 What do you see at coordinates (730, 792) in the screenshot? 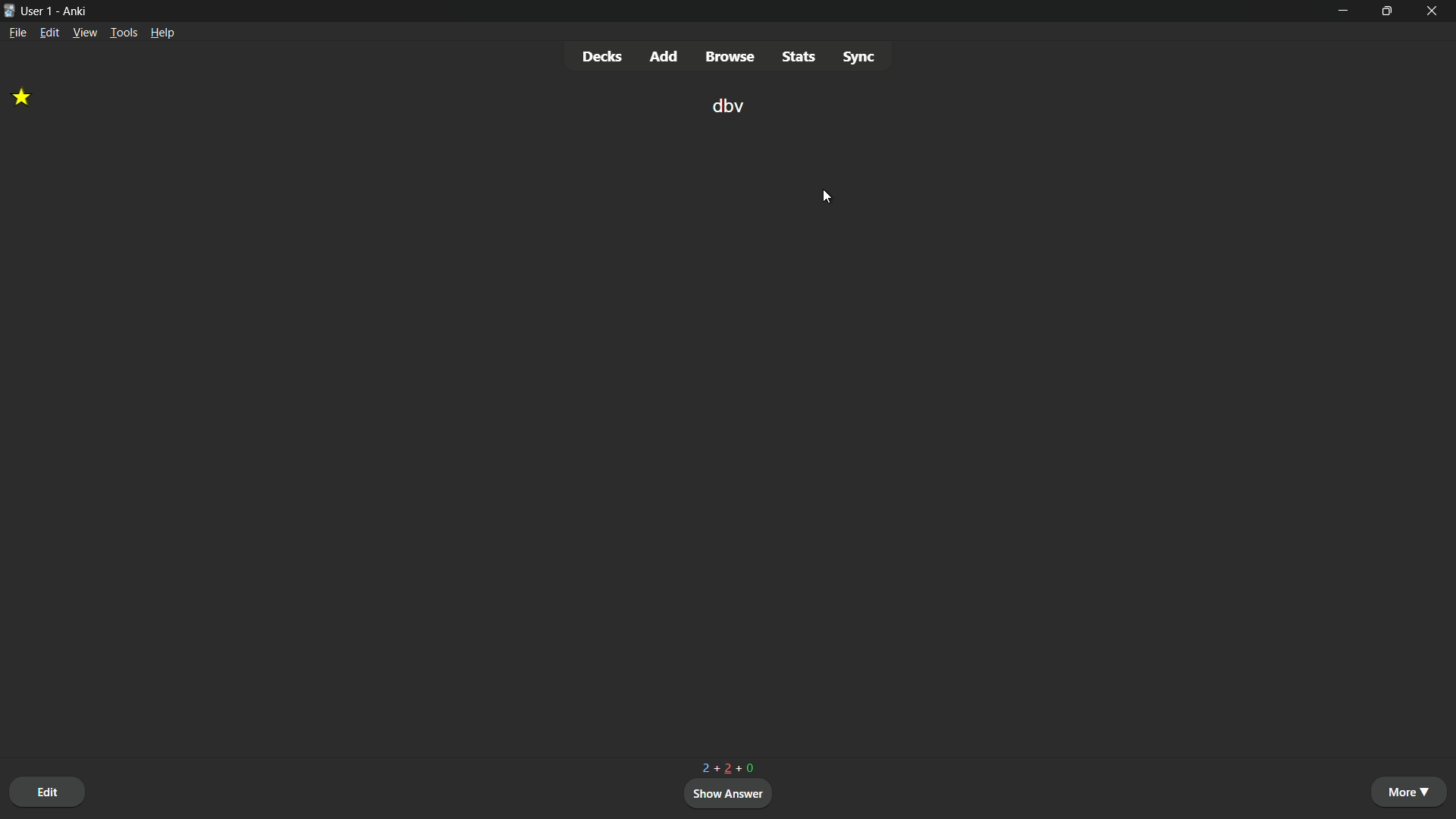
I see `show answer` at bounding box center [730, 792].